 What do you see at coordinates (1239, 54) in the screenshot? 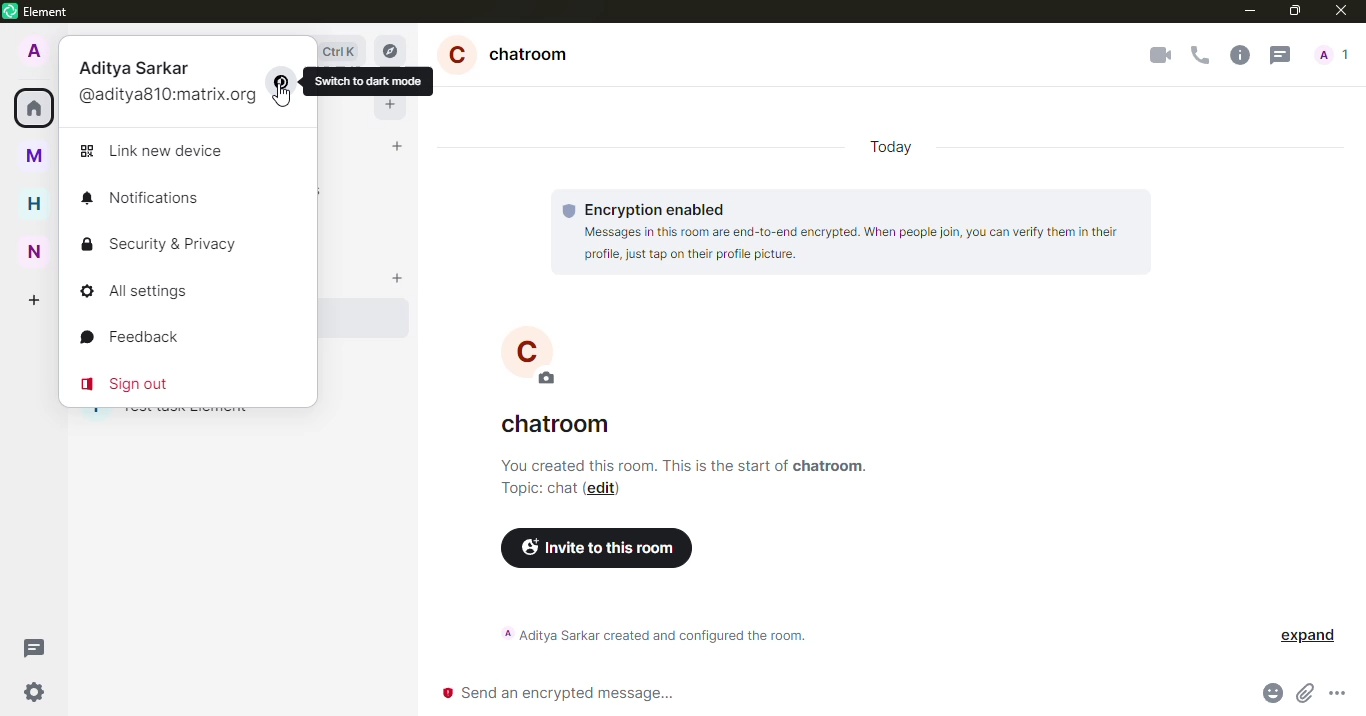
I see `info` at bounding box center [1239, 54].